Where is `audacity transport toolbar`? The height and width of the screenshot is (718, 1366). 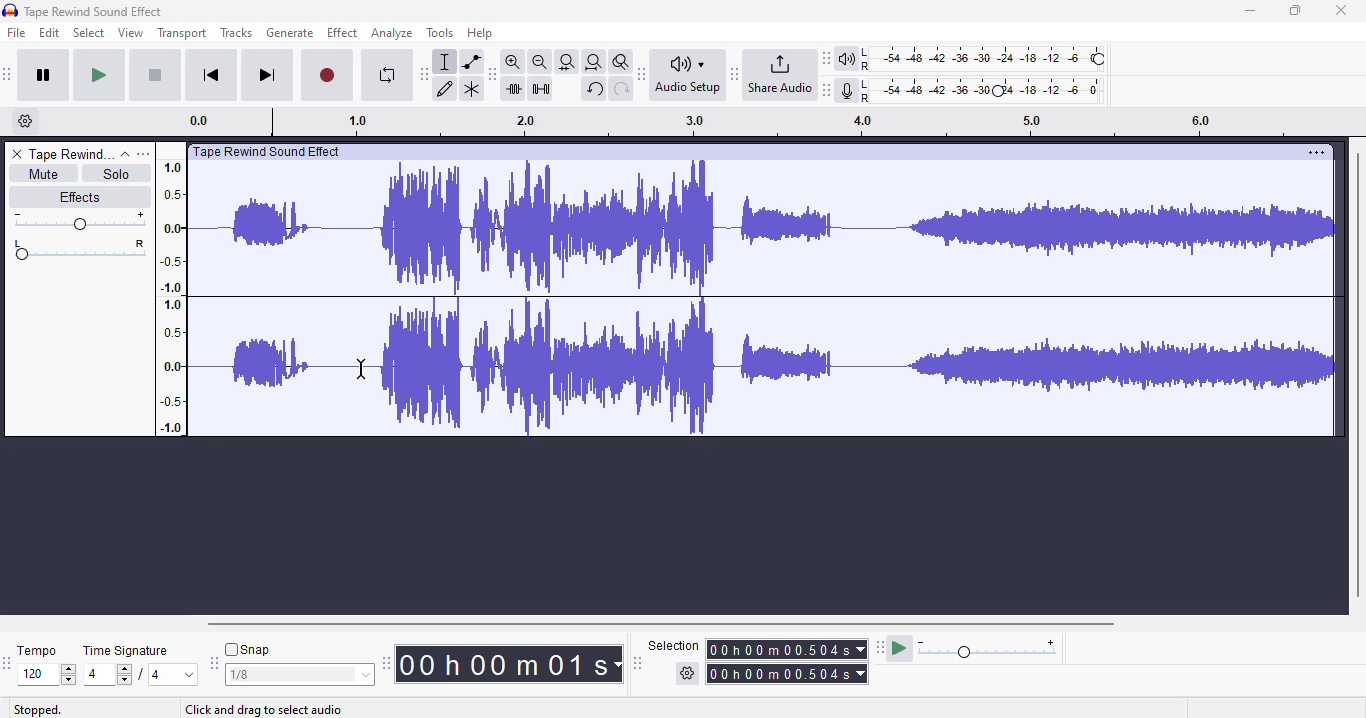 audacity transport toolbar is located at coordinates (7, 73).